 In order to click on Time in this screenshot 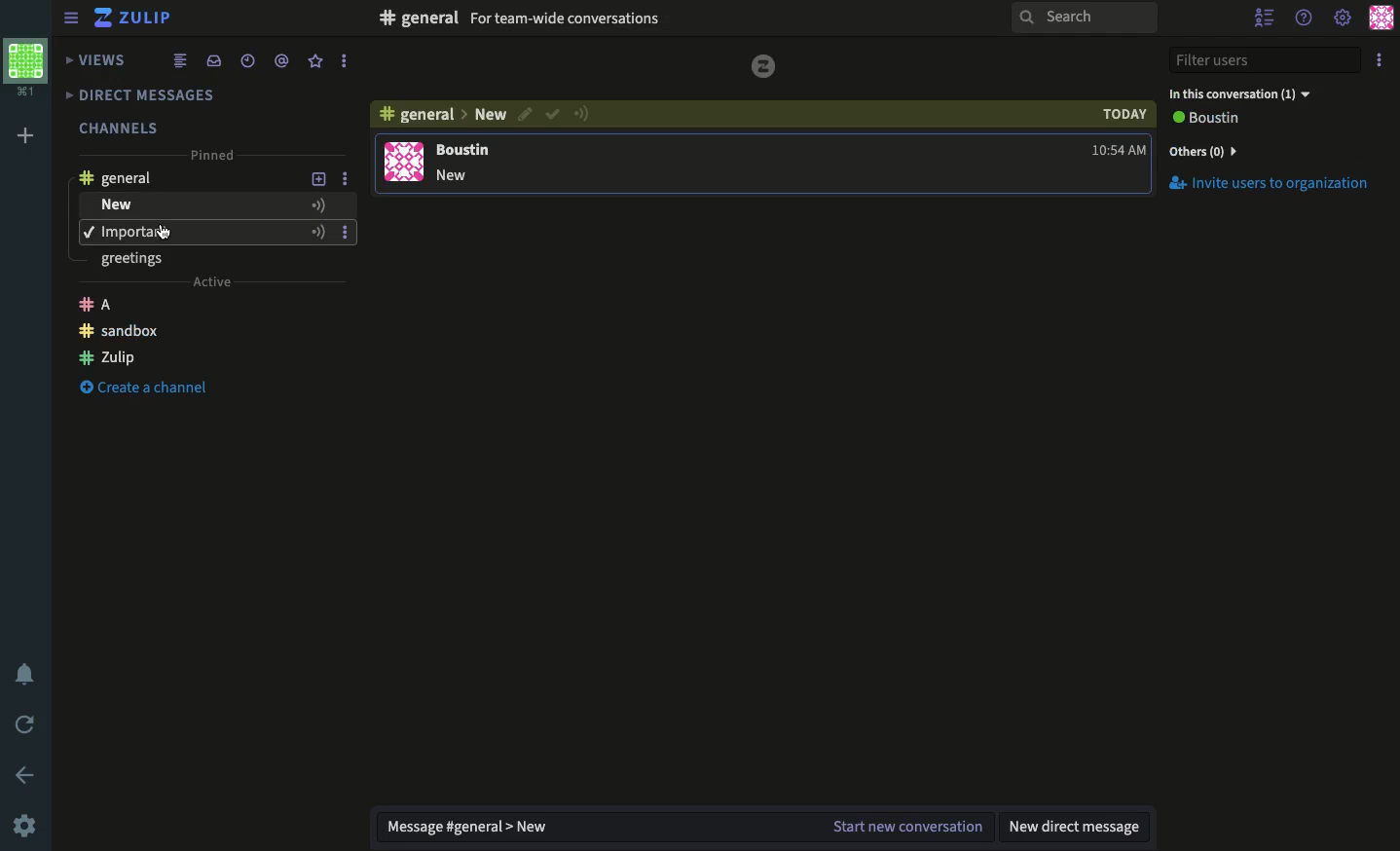, I will do `click(250, 59)`.